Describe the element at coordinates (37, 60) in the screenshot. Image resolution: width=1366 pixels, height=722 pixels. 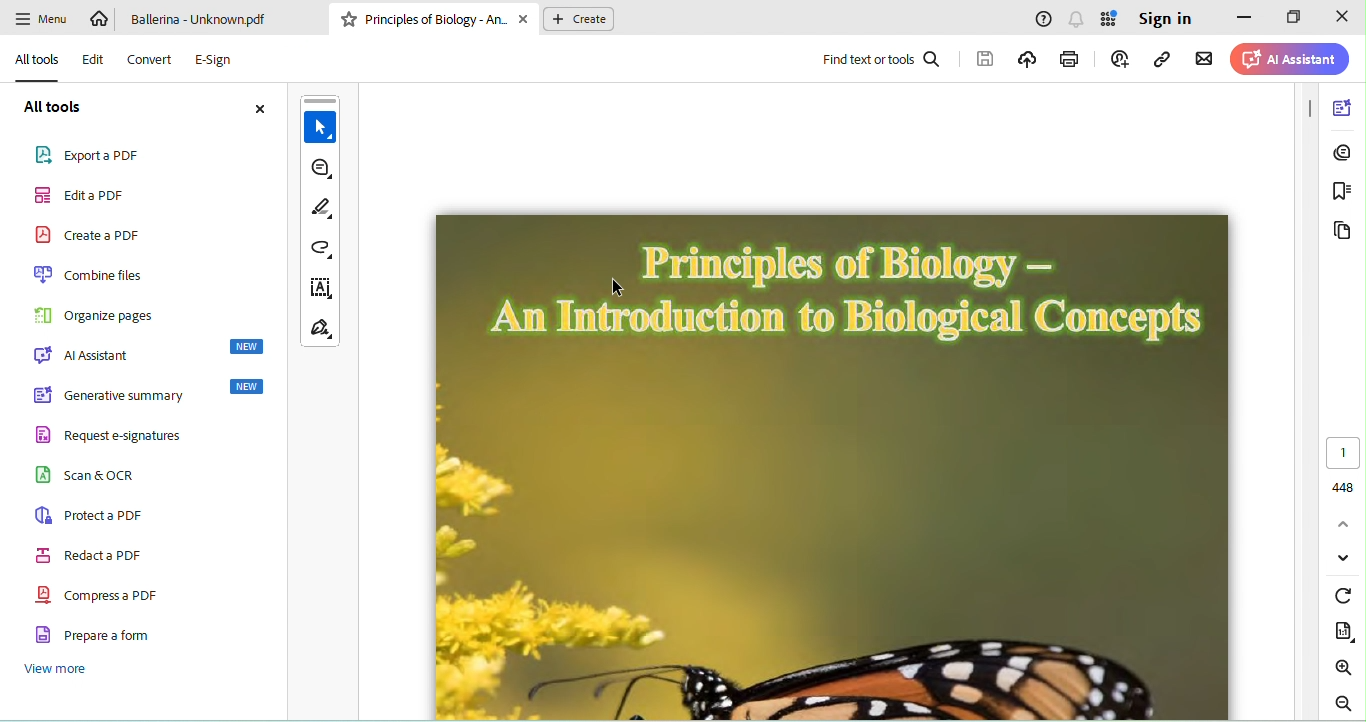
I see `all tools` at that location.